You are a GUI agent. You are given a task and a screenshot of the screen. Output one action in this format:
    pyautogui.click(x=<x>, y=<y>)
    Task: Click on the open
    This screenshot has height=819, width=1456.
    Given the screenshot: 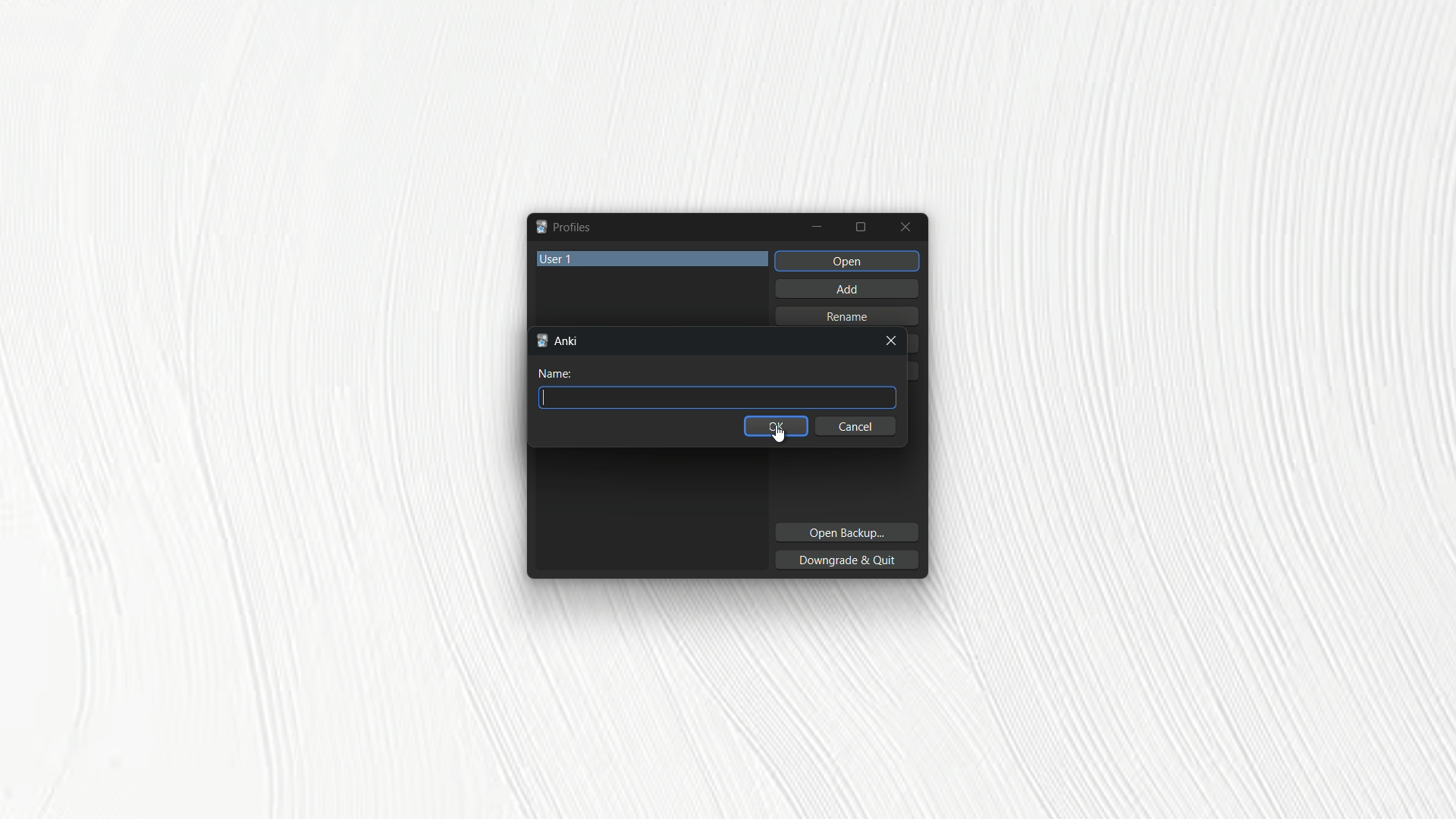 What is the action you would take?
    pyautogui.click(x=847, y=260)
    